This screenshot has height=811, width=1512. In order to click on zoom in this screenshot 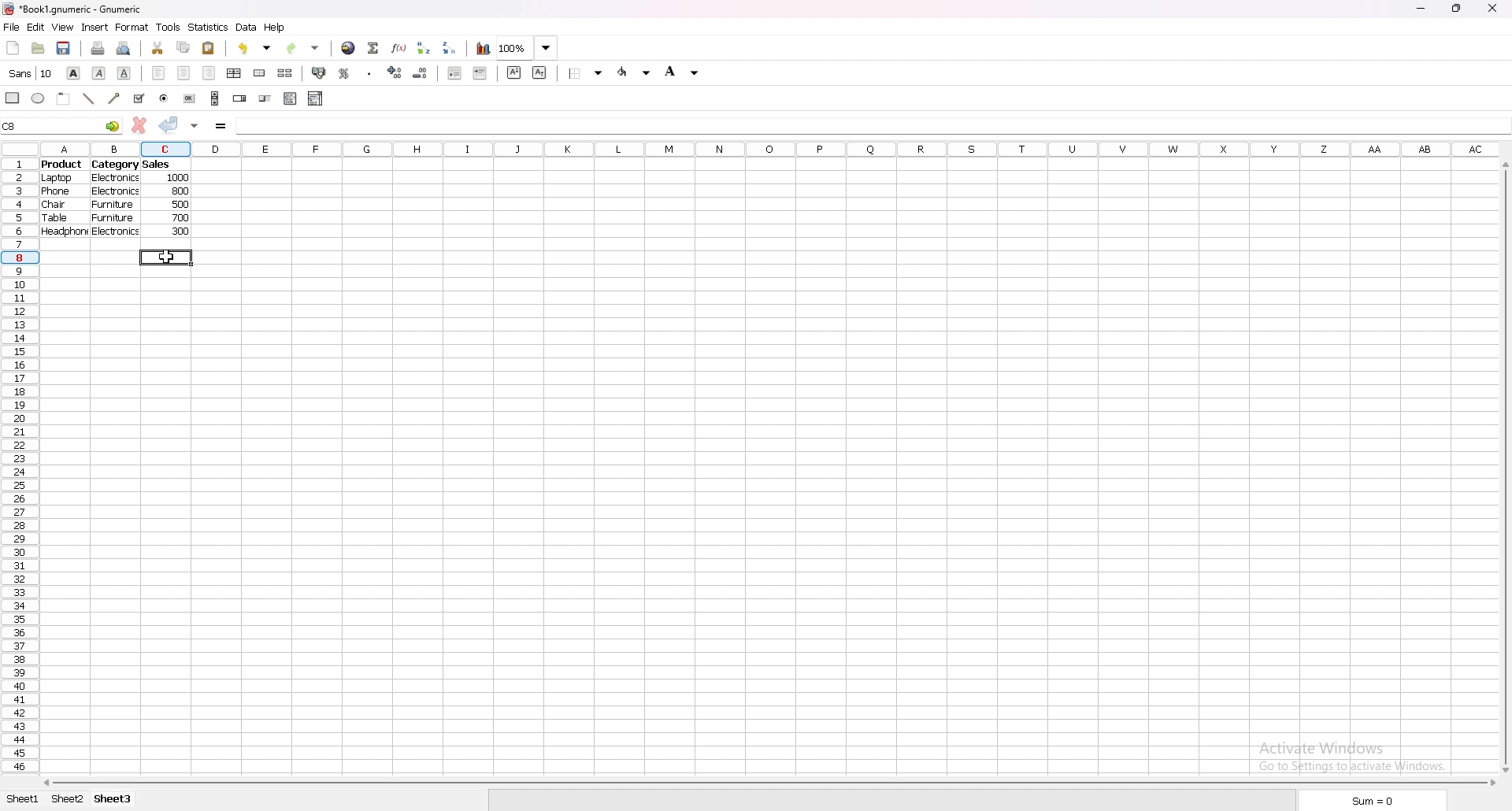, I will do `click(528, 48)`.